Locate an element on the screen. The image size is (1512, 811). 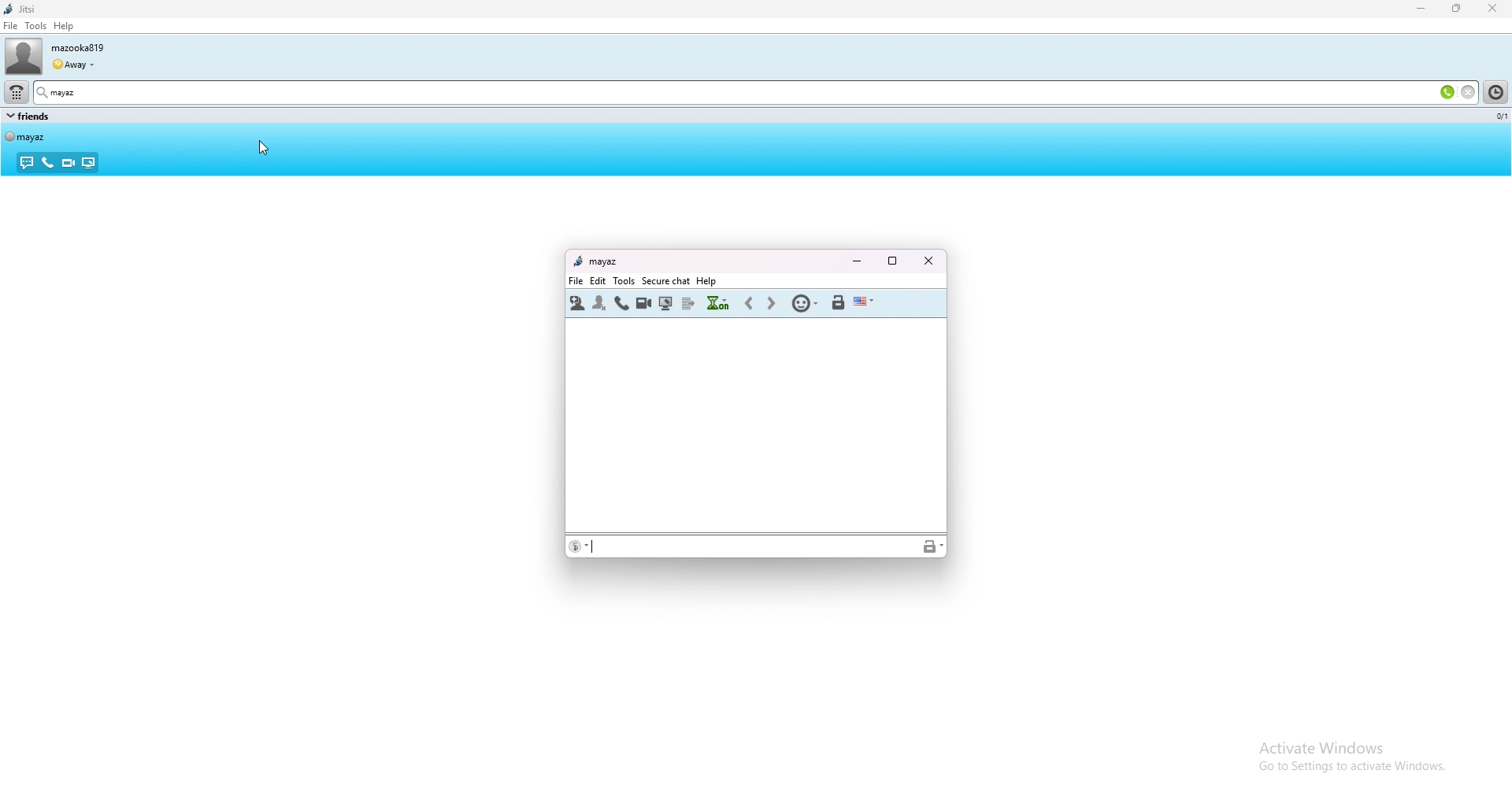
close is located at coordinates (929, 261).